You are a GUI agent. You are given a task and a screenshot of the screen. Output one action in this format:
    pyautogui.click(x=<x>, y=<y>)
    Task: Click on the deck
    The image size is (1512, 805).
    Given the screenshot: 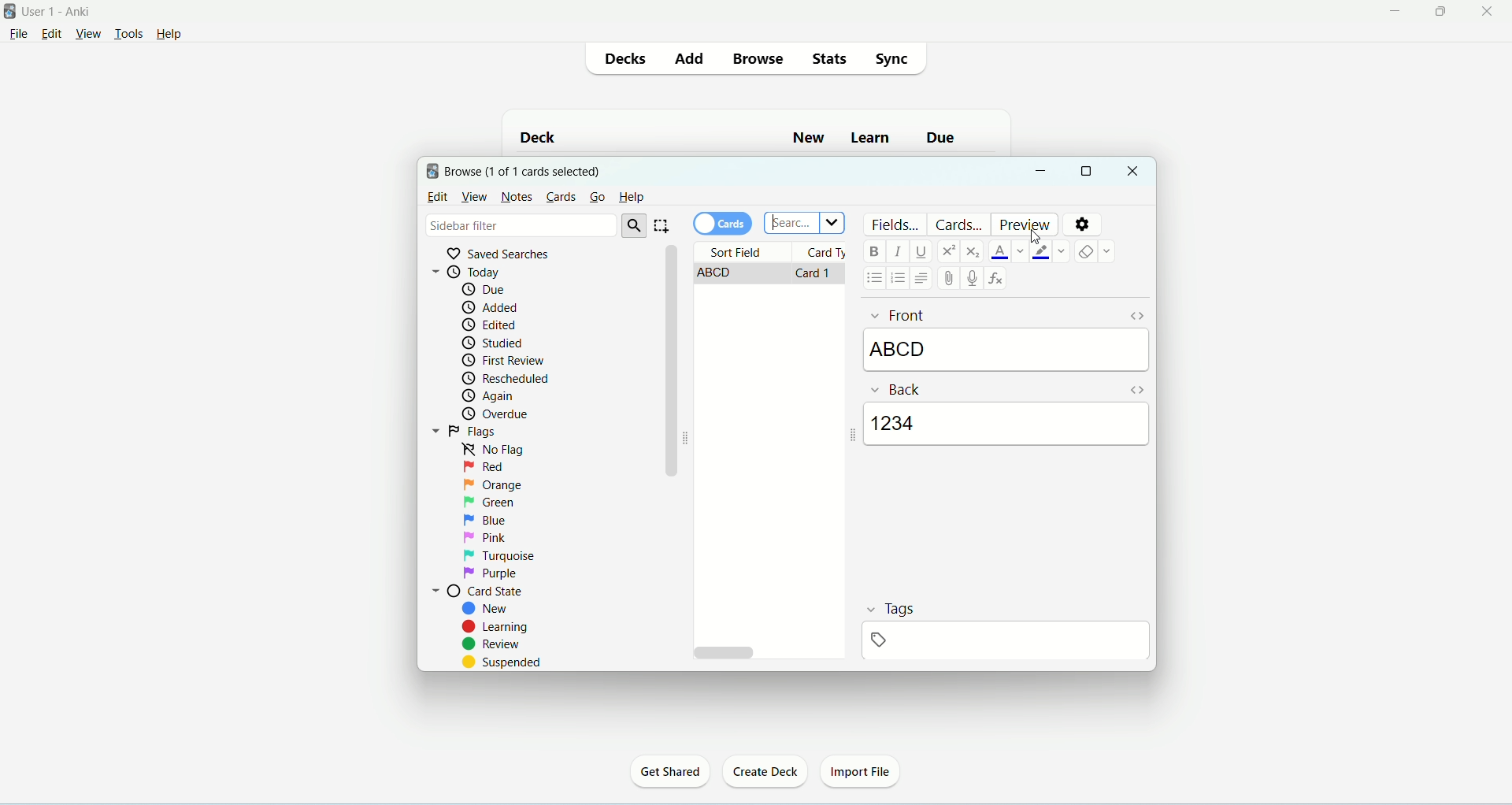 What is the action you would take?
    pyautogui.click(x=545, y=135)
    